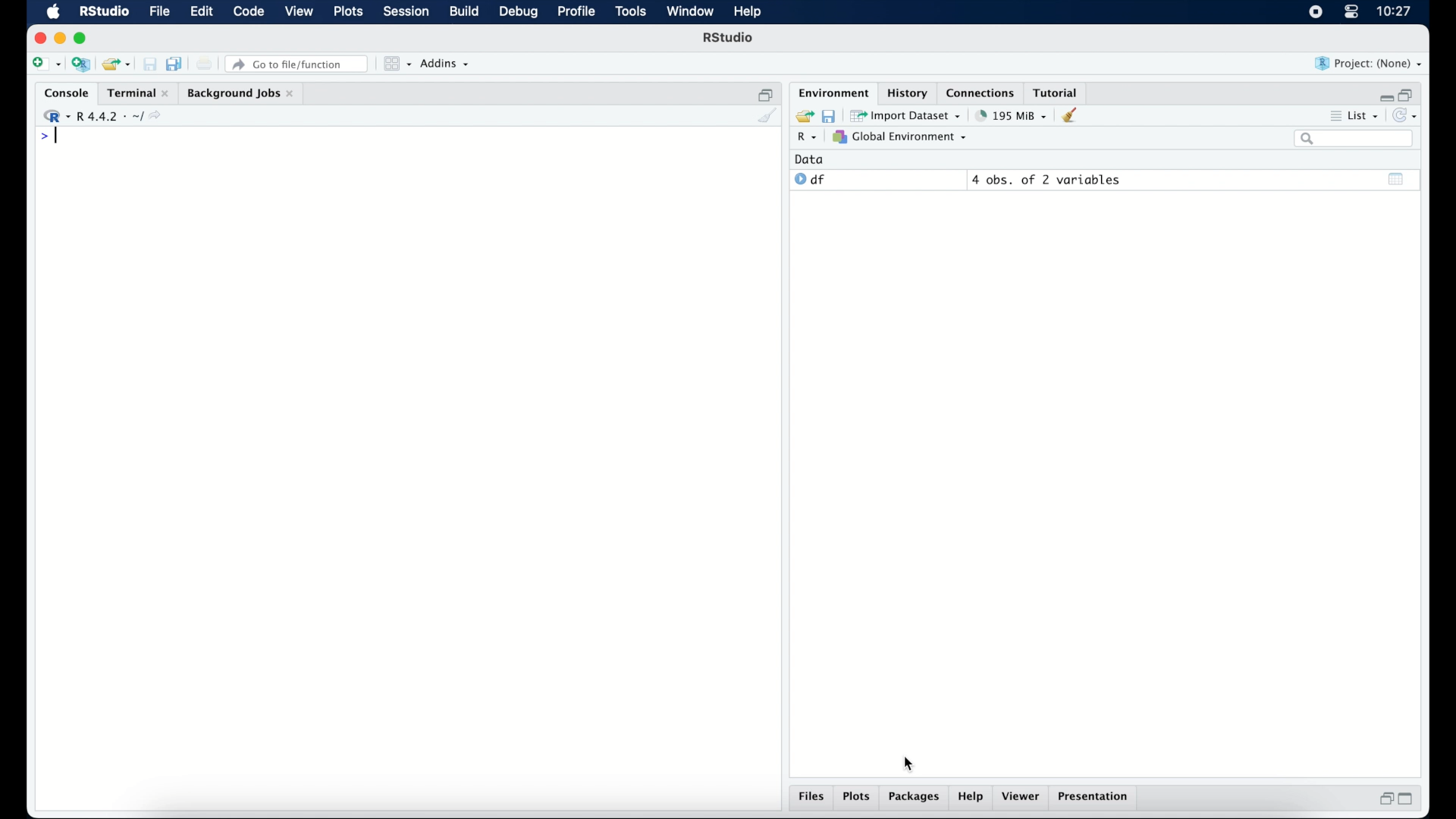  Describe the element at coordinates (106, 117) in the screenshot. I see `R 4.4.2` at that location.